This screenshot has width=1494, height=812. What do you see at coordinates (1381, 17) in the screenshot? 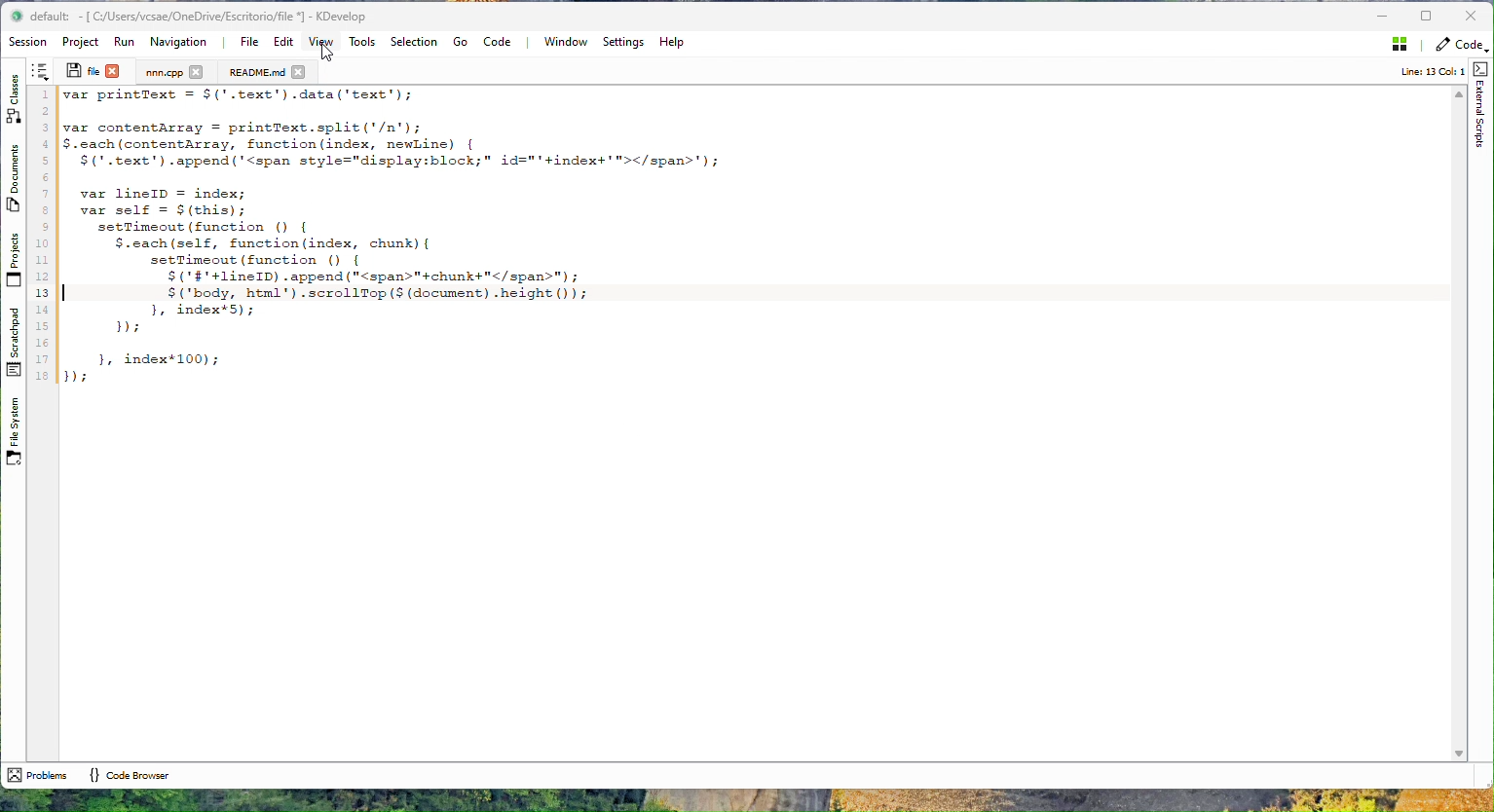
I see `Minimize` at bounding box center [1381, 17].